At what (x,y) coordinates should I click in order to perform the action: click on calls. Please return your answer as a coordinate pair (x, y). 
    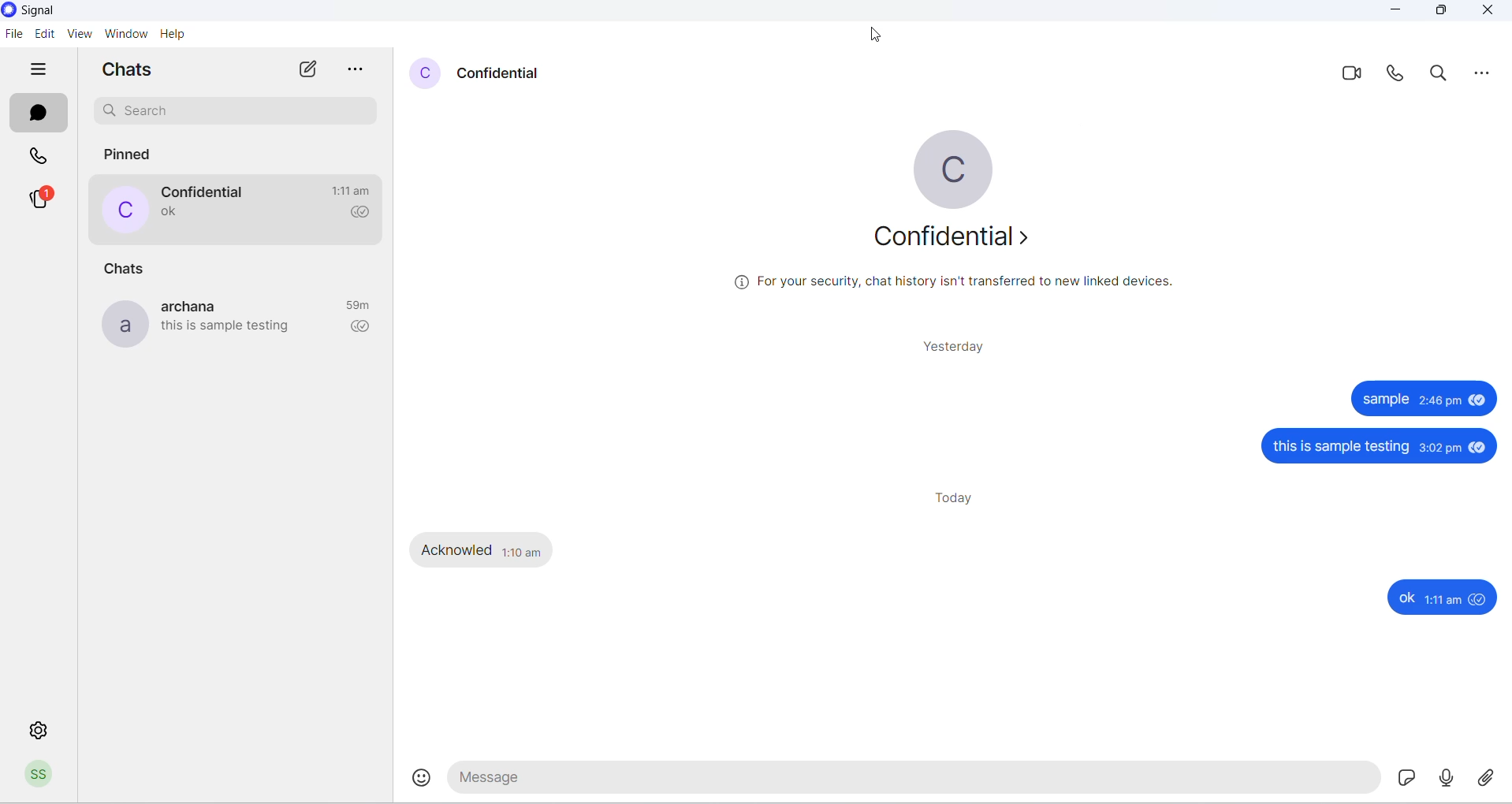
    Looking at the image, I should click on (39, 158).